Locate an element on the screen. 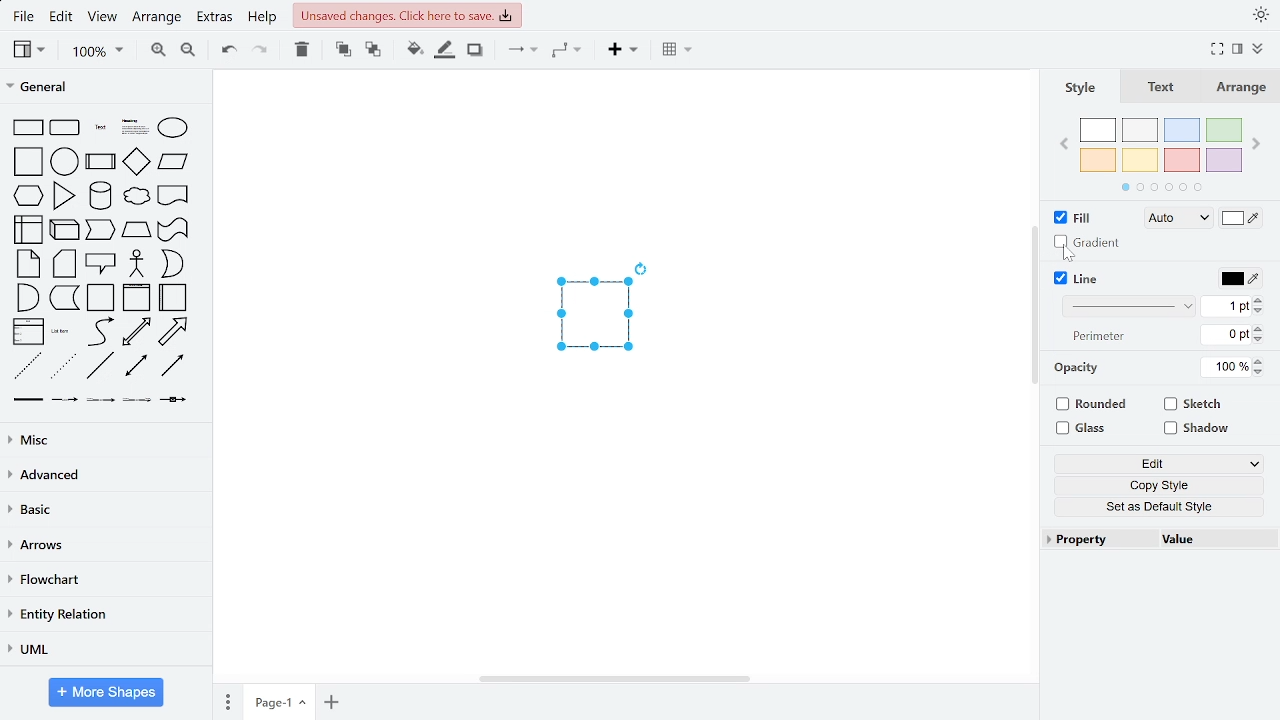  general shapes is located at coordinates (133, 160).